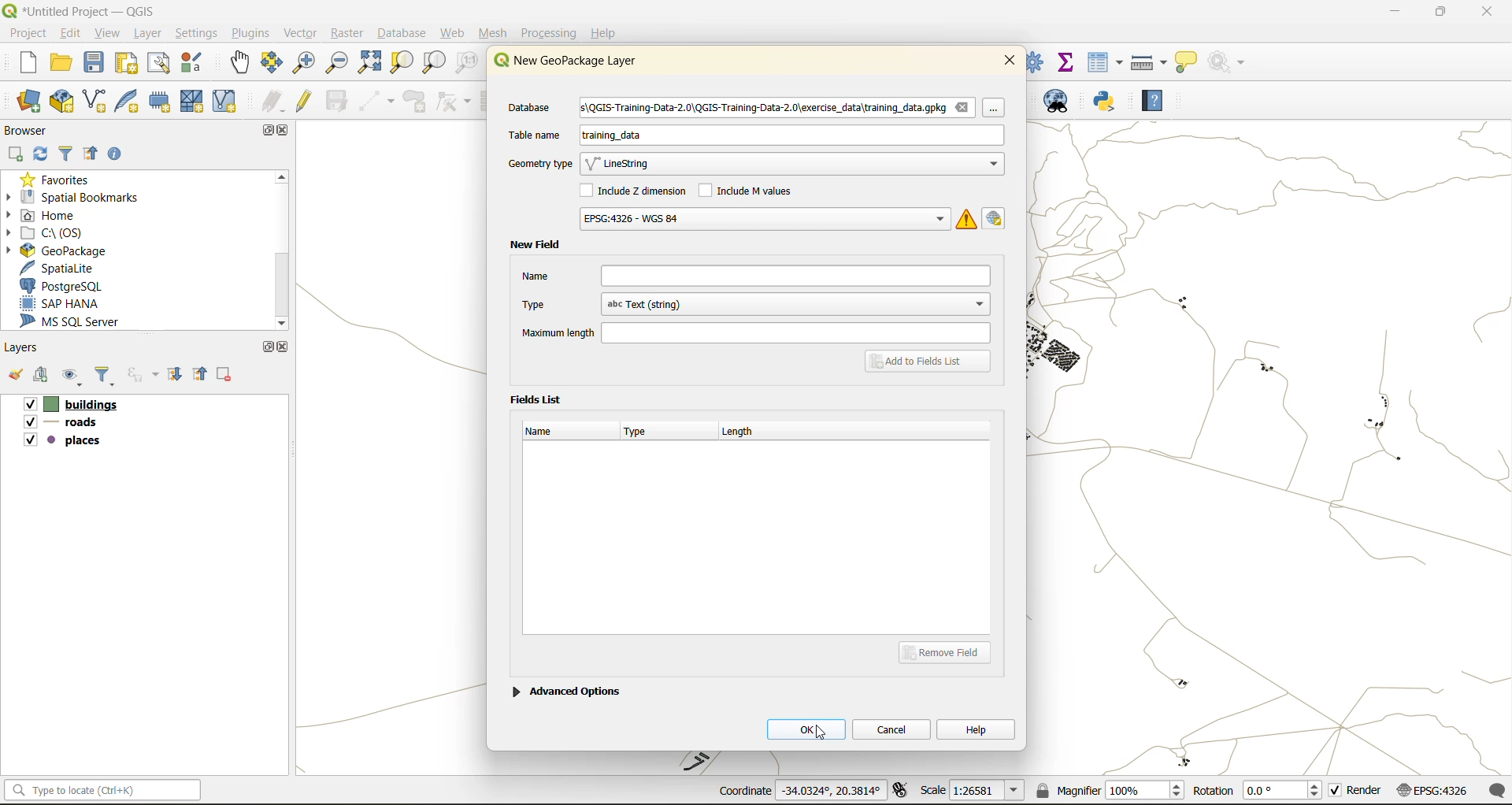  I want to click on edits, so click(273, 102).